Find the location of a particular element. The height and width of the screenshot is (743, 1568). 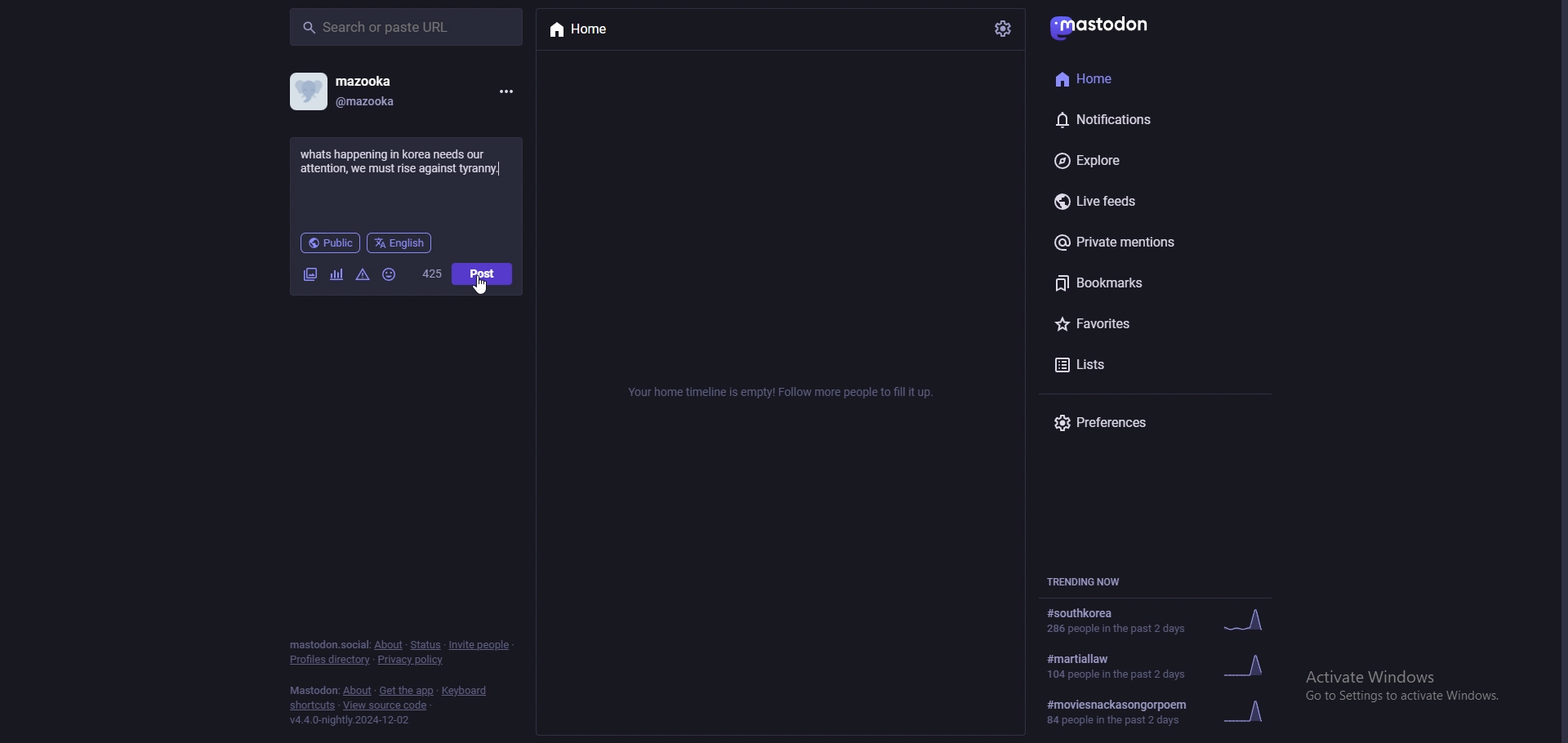

emojis is located at coordinates (390, 275).